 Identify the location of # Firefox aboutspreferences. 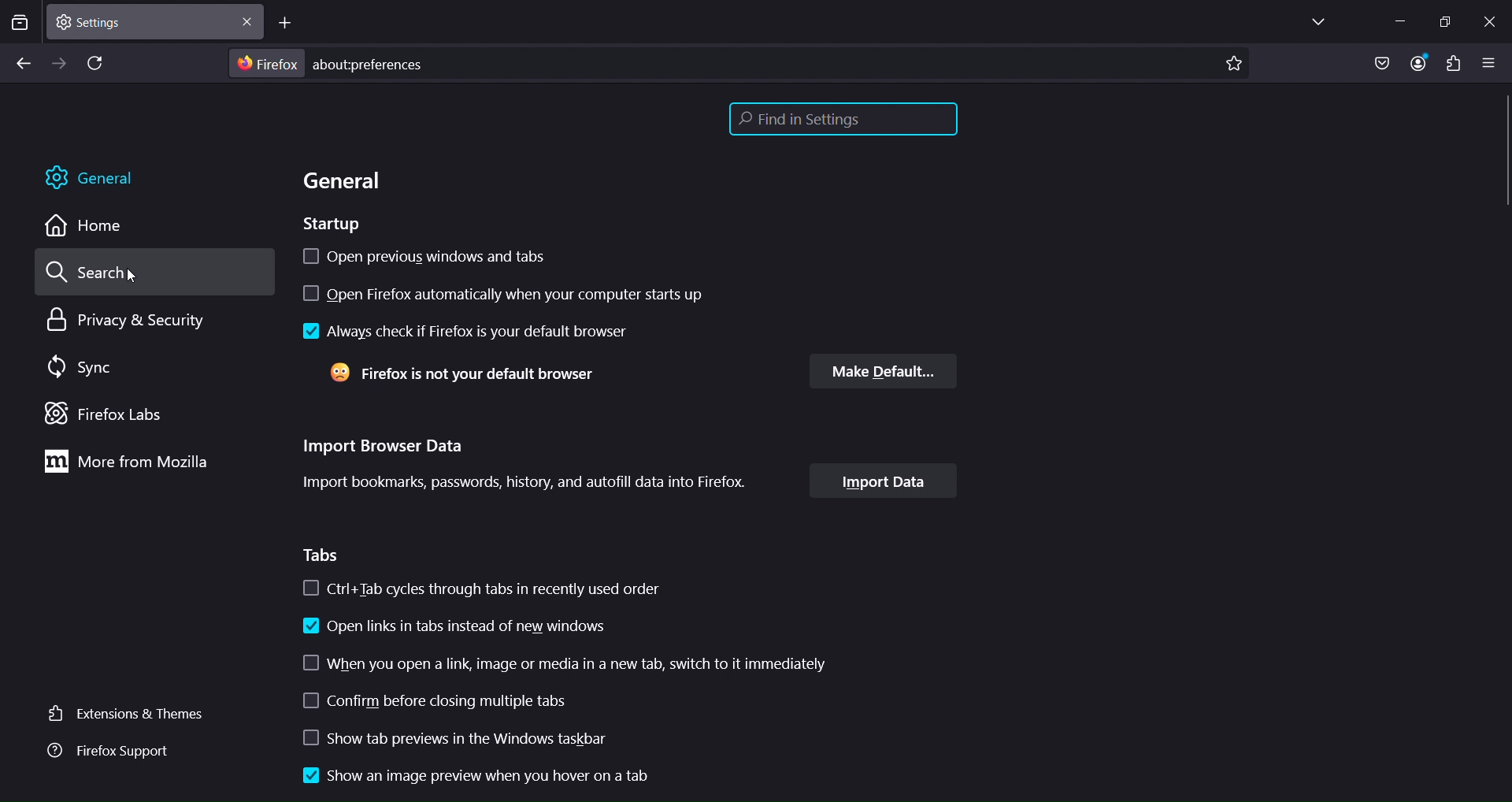
(331, 64).